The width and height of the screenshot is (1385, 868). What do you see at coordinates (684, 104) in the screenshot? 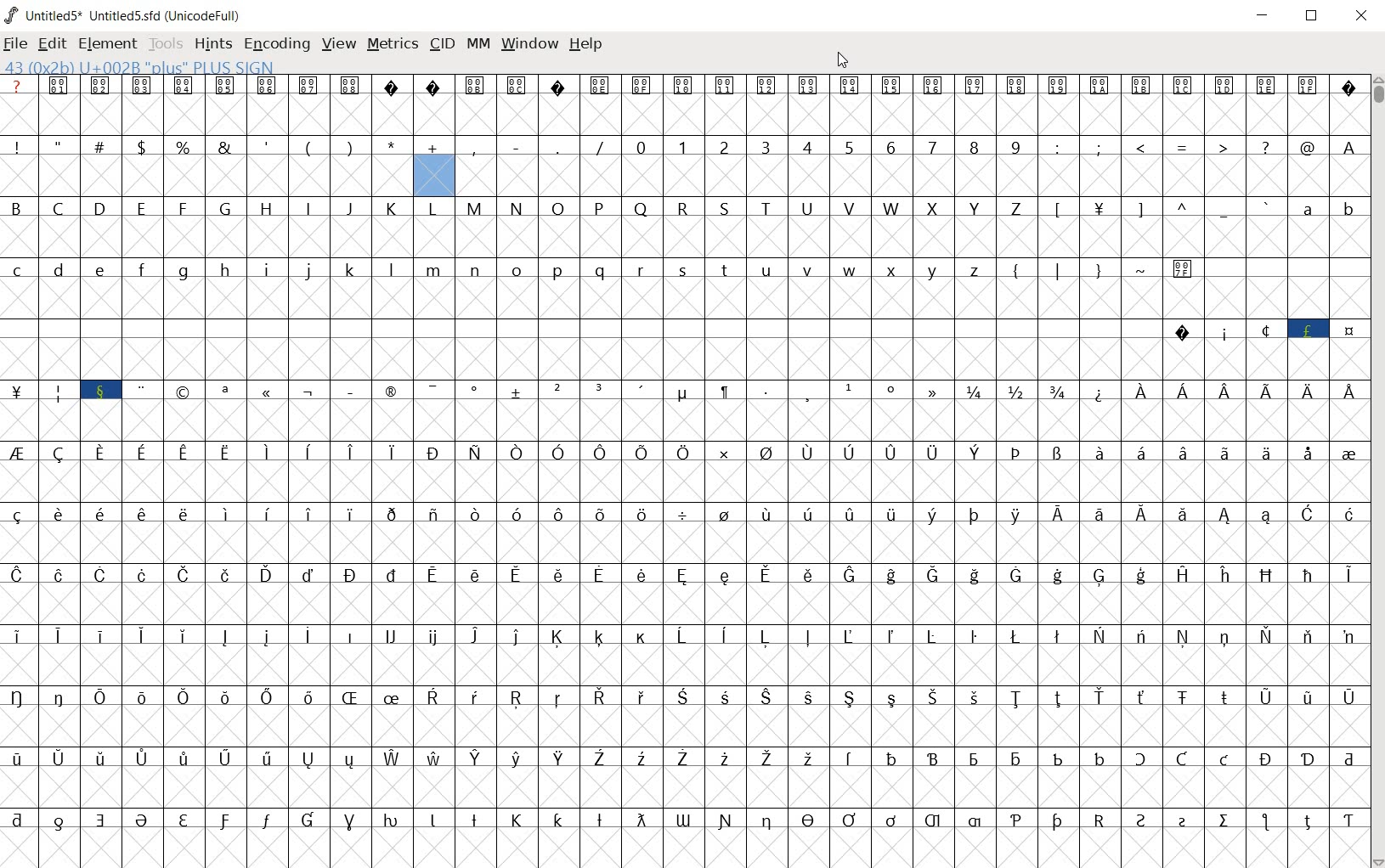
I see `symbols` at bounding box center [684, 104].